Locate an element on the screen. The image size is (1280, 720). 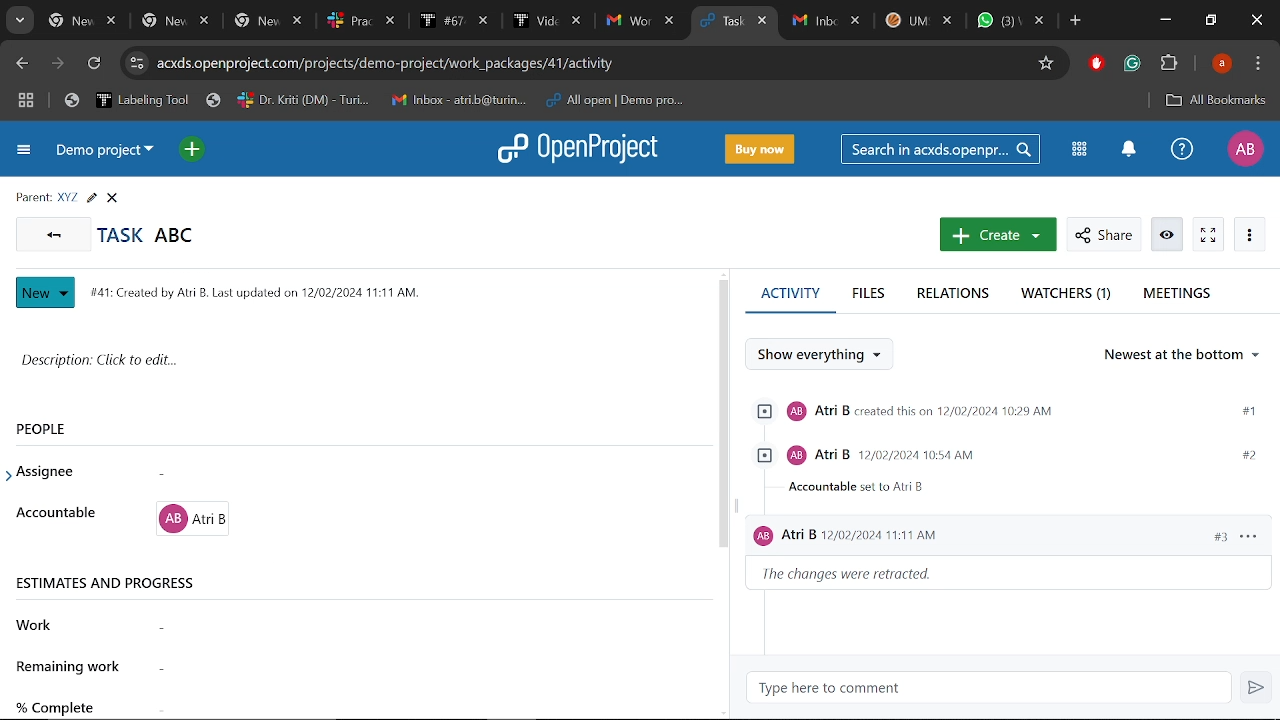
% Complete is located at coordinates (58, 705).